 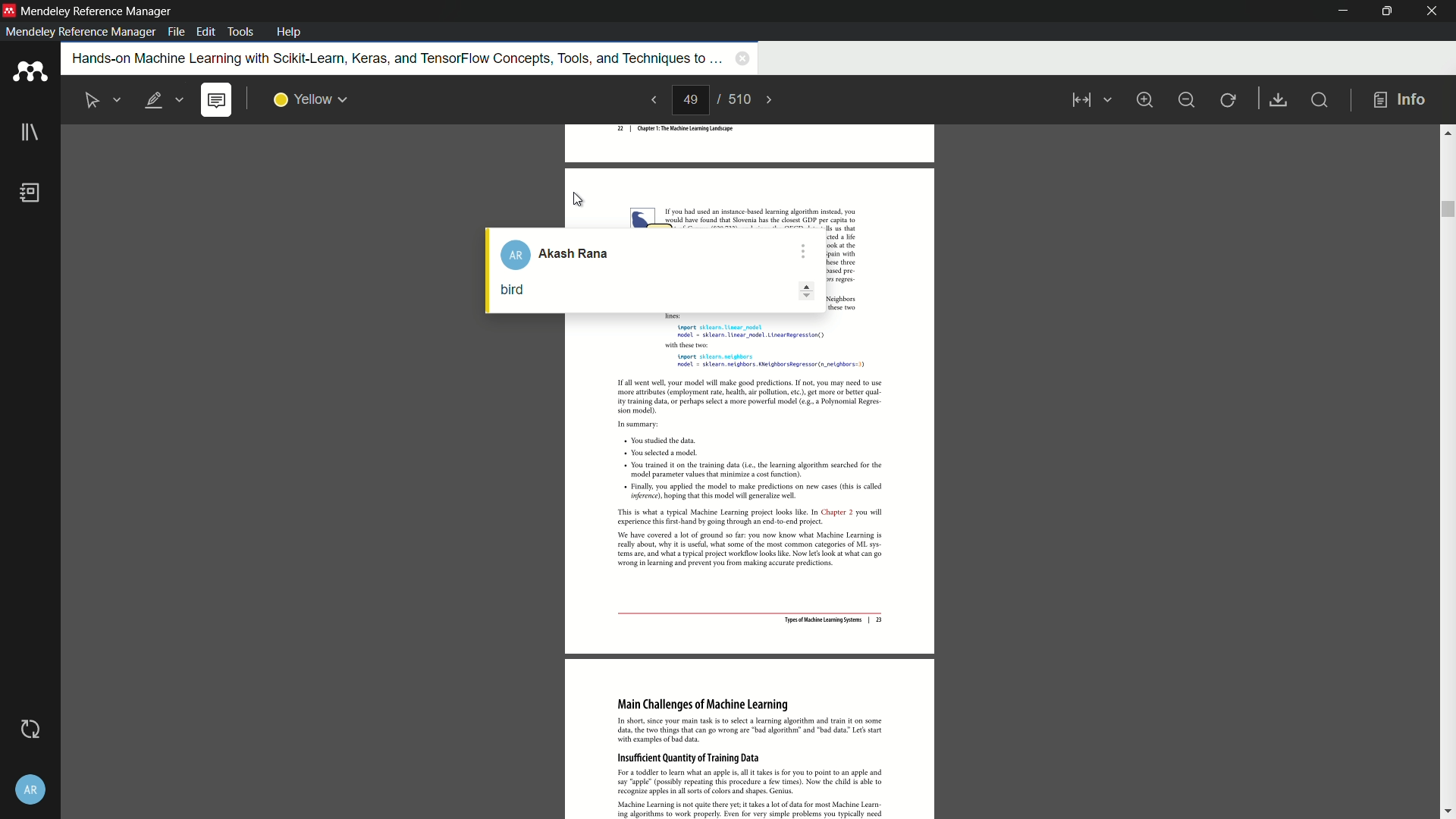 I want to click on total page, so click(x=741, y=100).